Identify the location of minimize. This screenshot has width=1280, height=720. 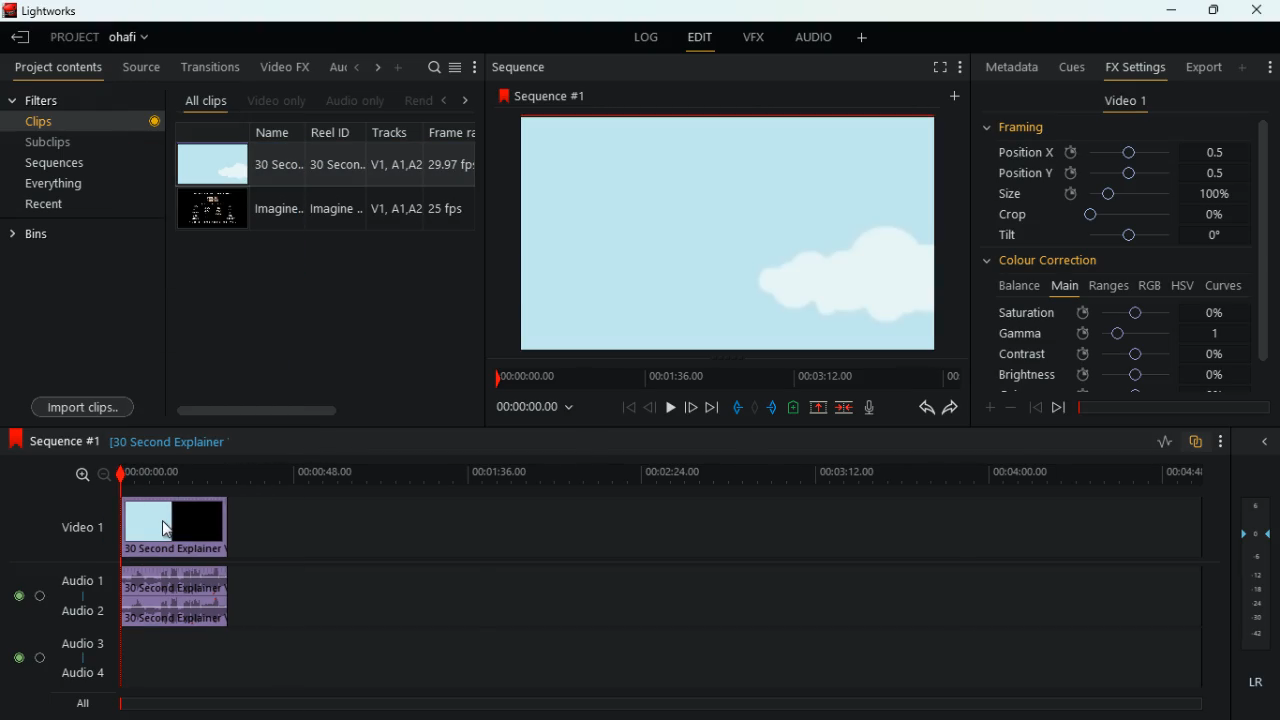
(1264, 440).